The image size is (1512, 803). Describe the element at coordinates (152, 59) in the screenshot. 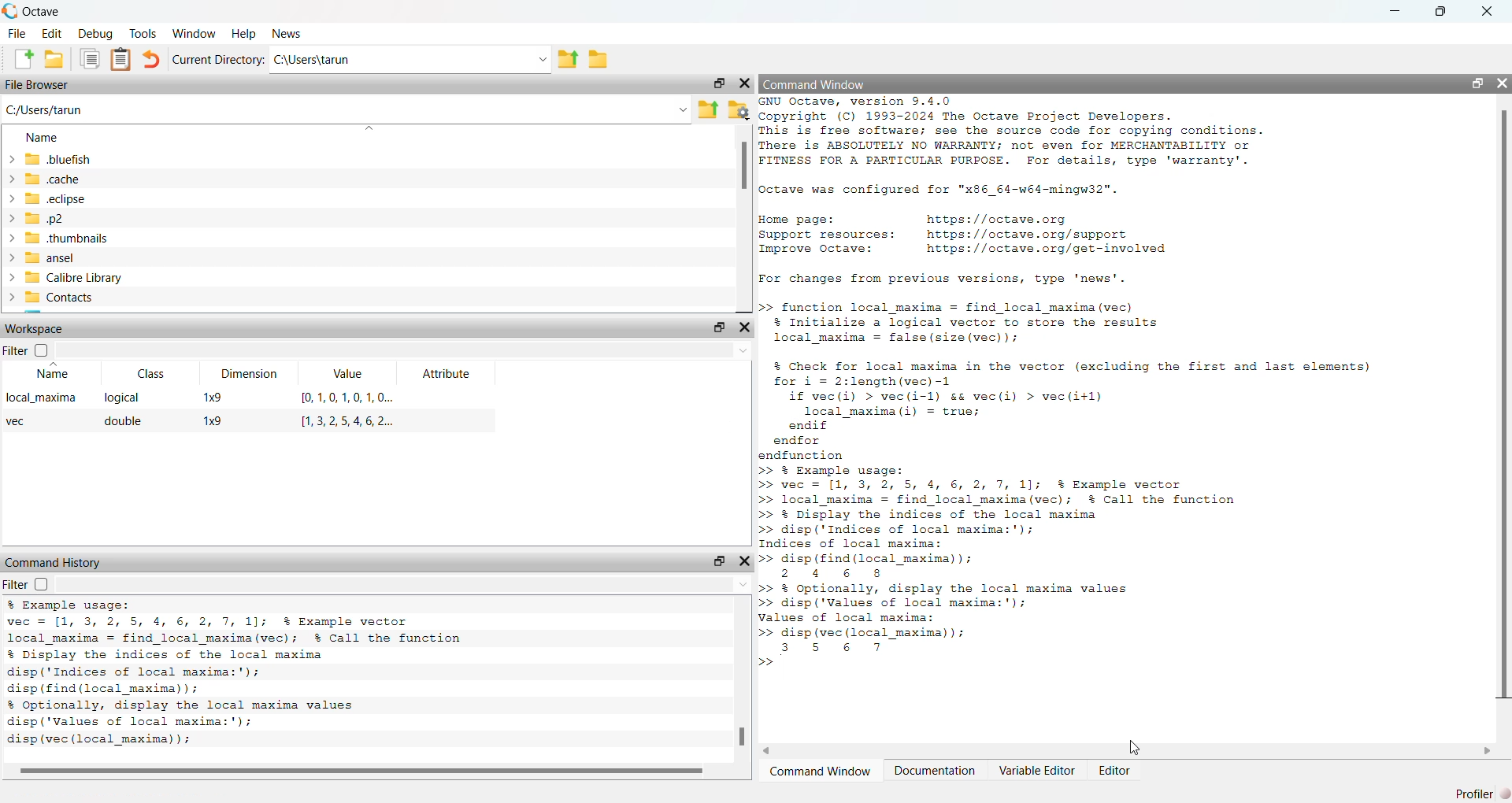

I see `Undo` at that location.